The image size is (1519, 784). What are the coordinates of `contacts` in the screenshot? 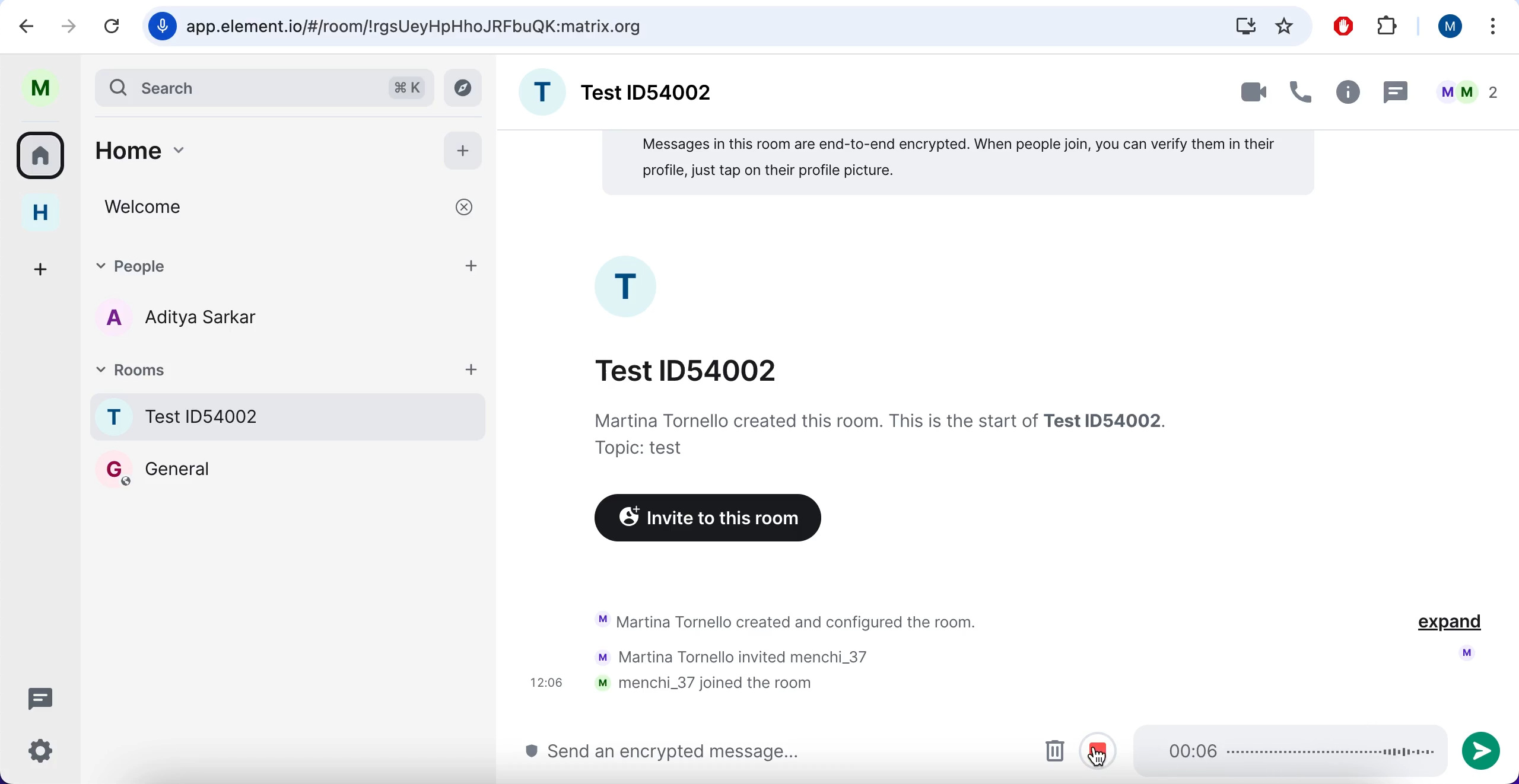 It's located at (172, 320).